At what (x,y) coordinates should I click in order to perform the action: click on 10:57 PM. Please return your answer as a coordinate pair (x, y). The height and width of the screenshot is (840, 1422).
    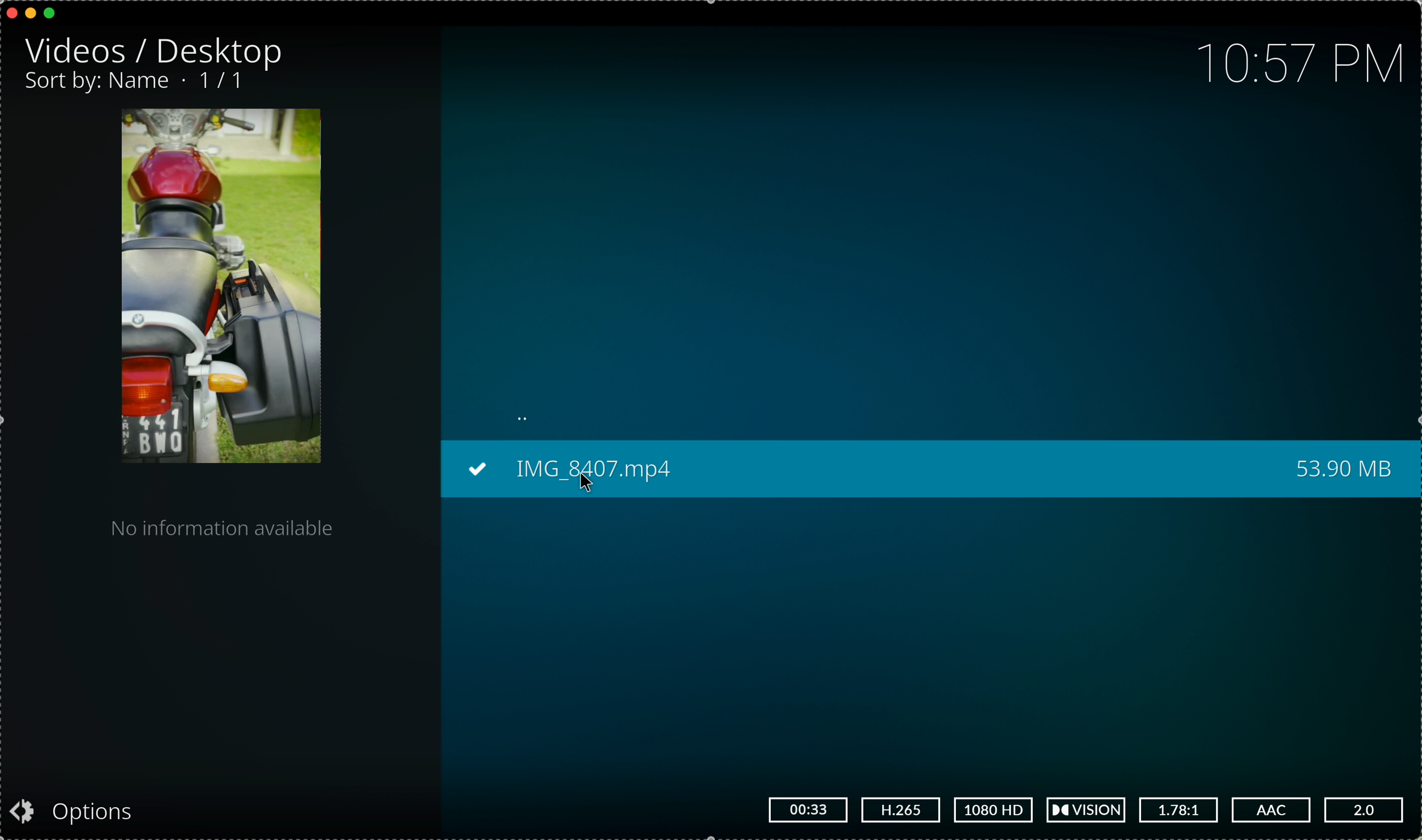
    Looking at the image, I should click on (1293, 61).